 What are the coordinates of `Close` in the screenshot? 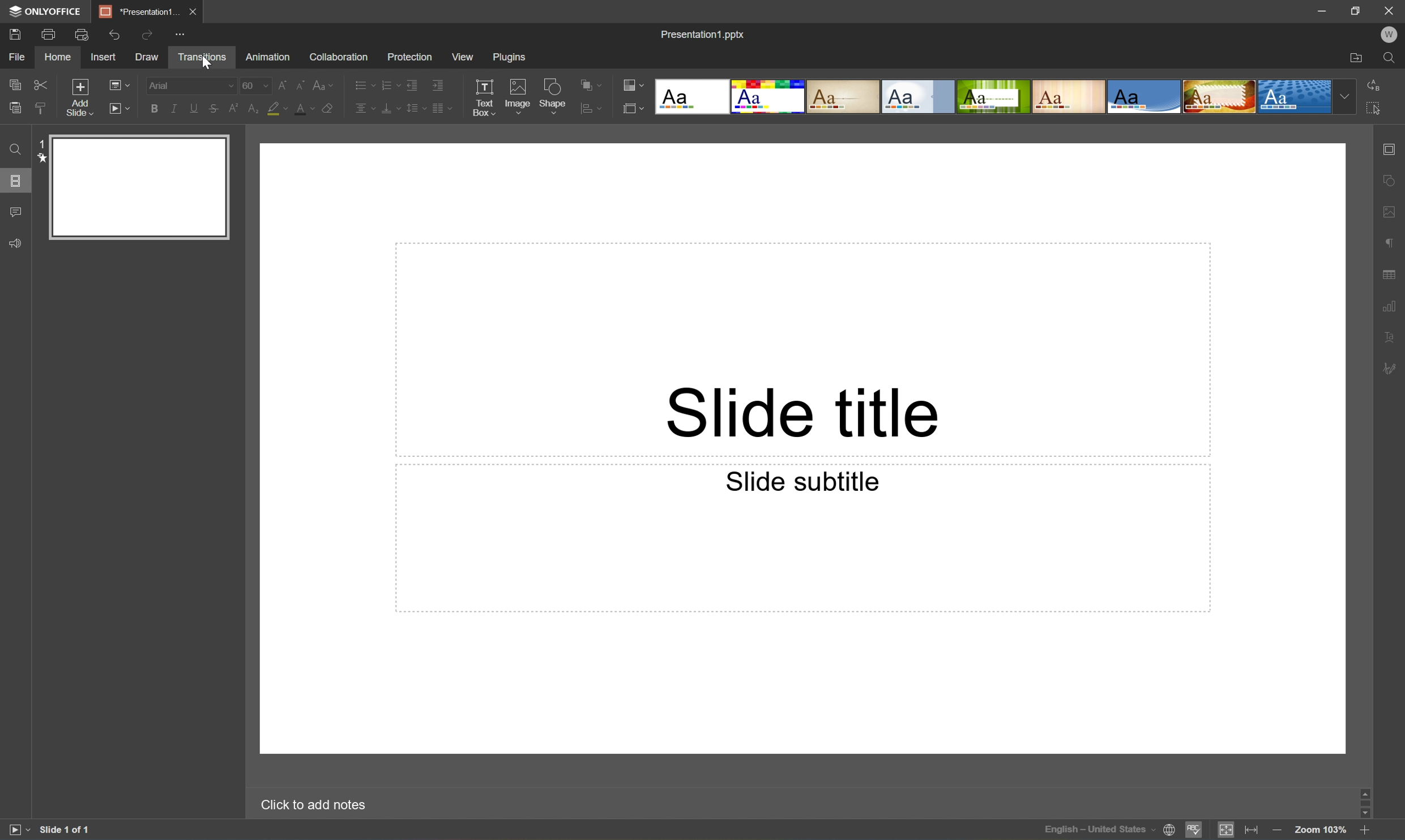 It's located at (194, 12).